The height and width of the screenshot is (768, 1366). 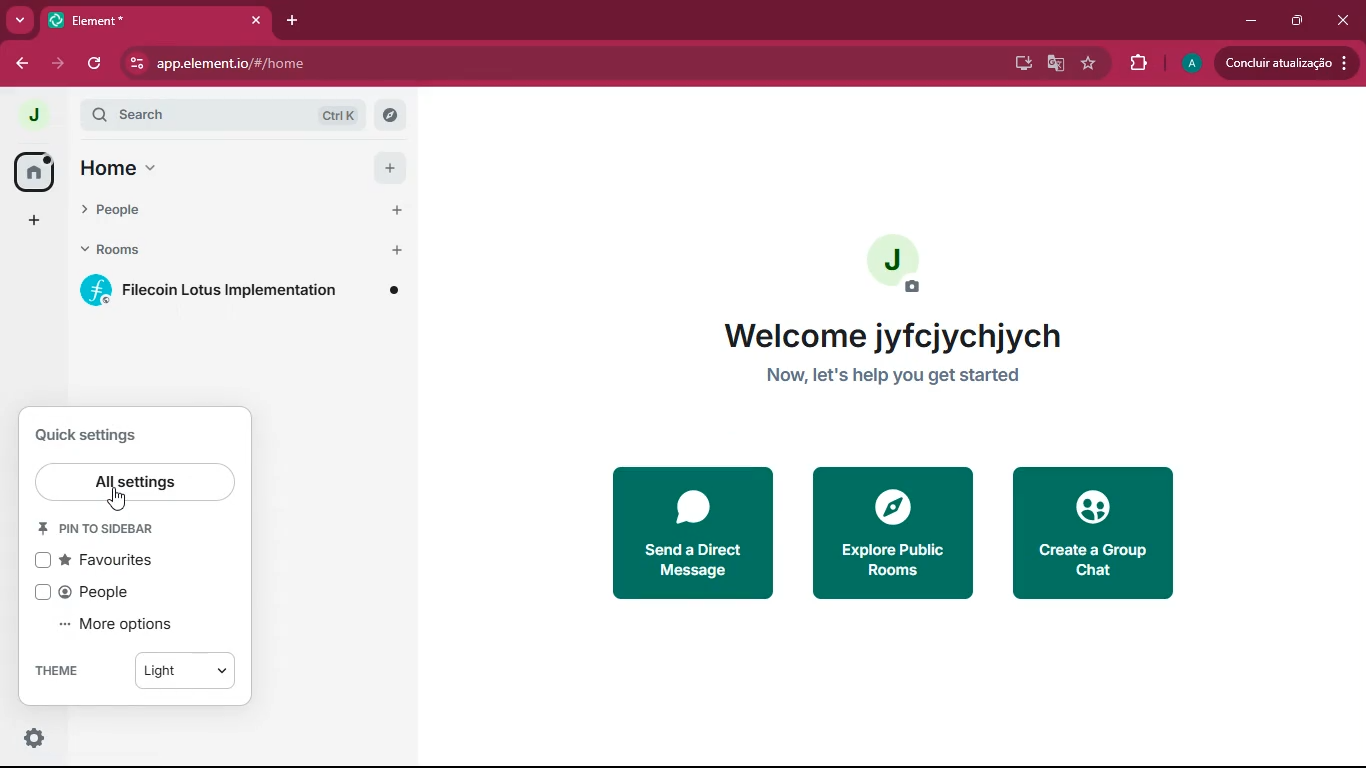 What do you see at coordinates (27, 116) in the screenshot?
I see `profile picture` at bounding box center [27, 116].